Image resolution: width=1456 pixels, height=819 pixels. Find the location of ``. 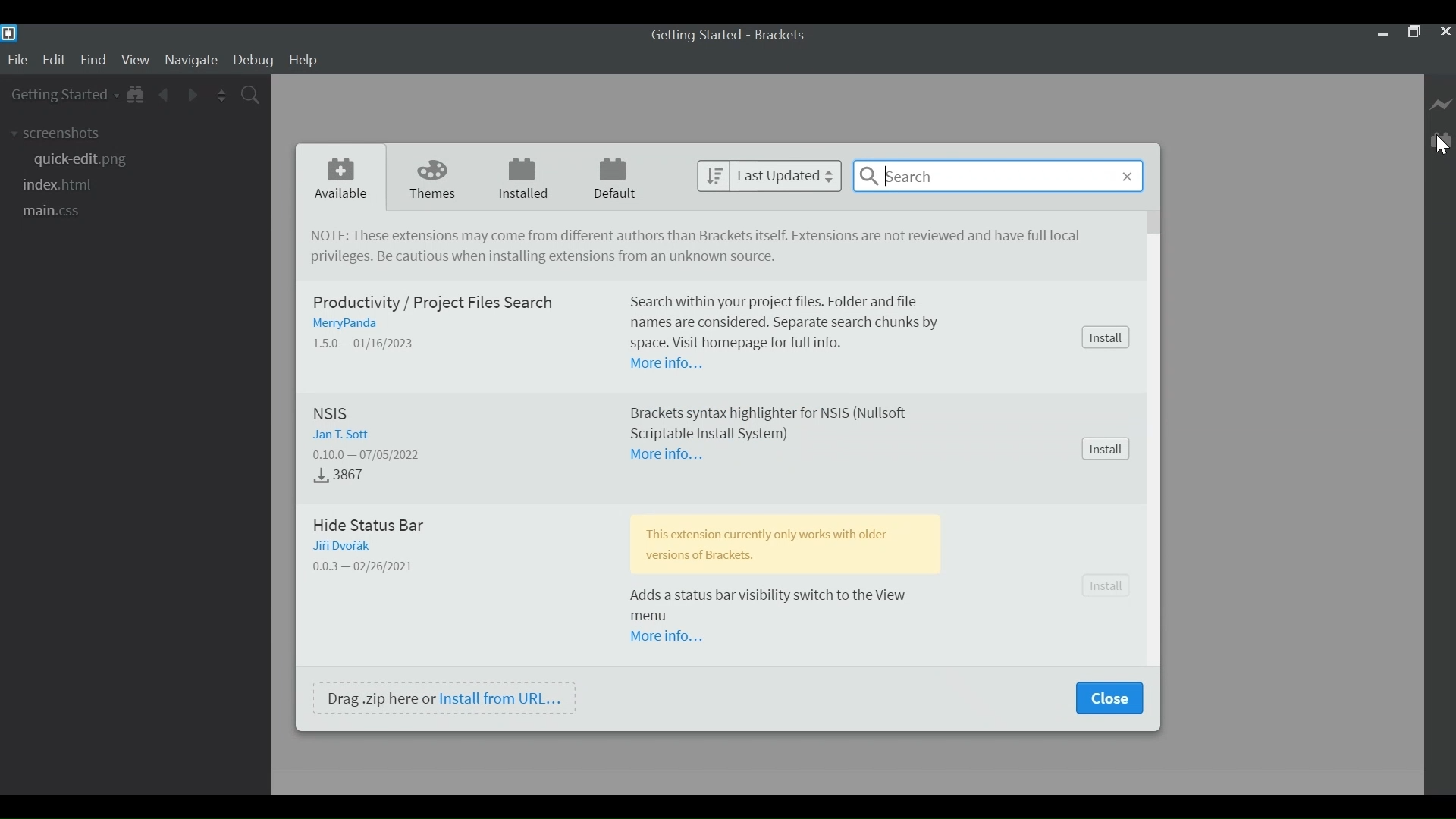

 is located at coordinates (1109, 586).